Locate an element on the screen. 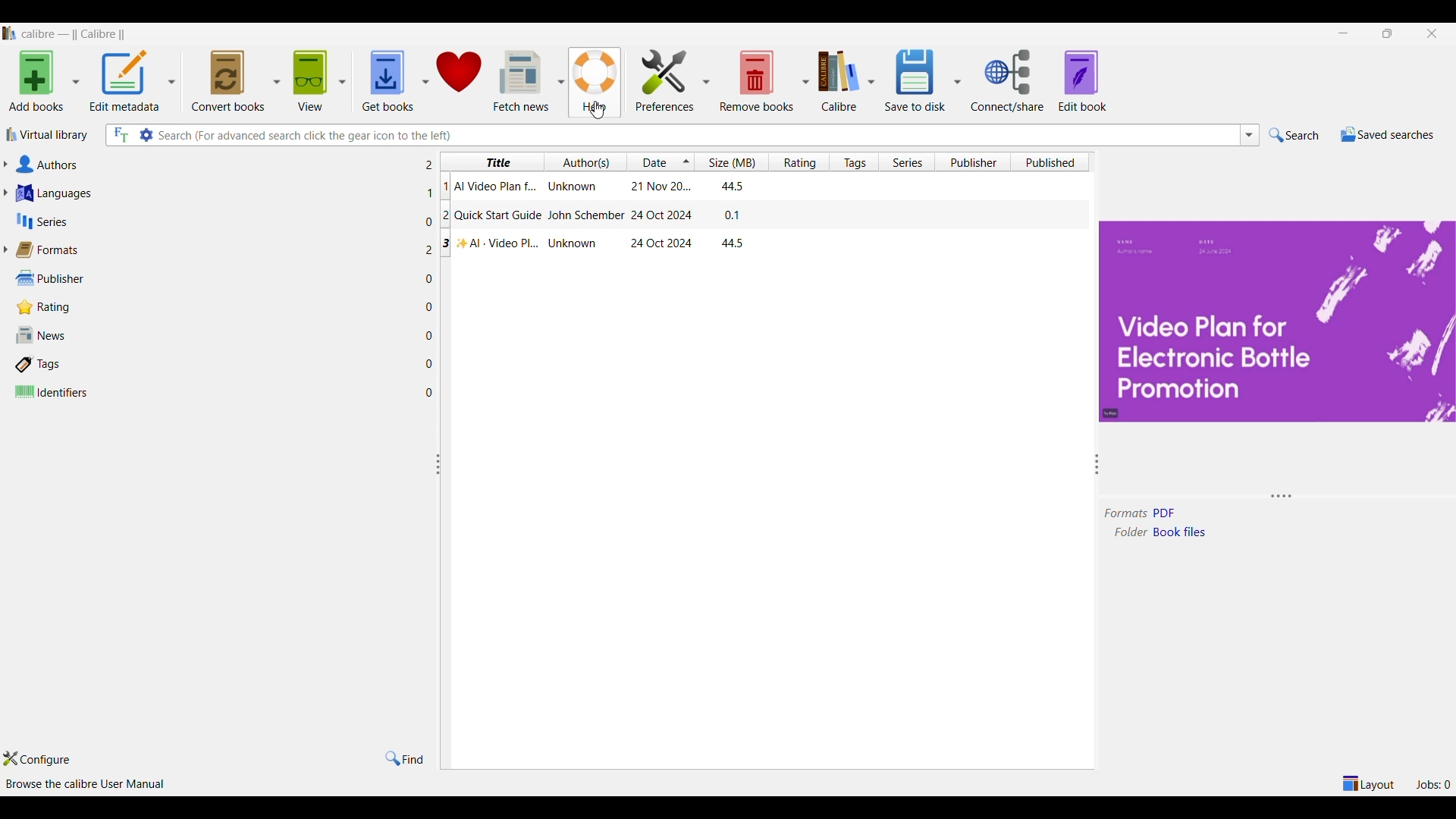 This screenshot has width=1456, height=819. Save options is located at coordinates (957, 80).